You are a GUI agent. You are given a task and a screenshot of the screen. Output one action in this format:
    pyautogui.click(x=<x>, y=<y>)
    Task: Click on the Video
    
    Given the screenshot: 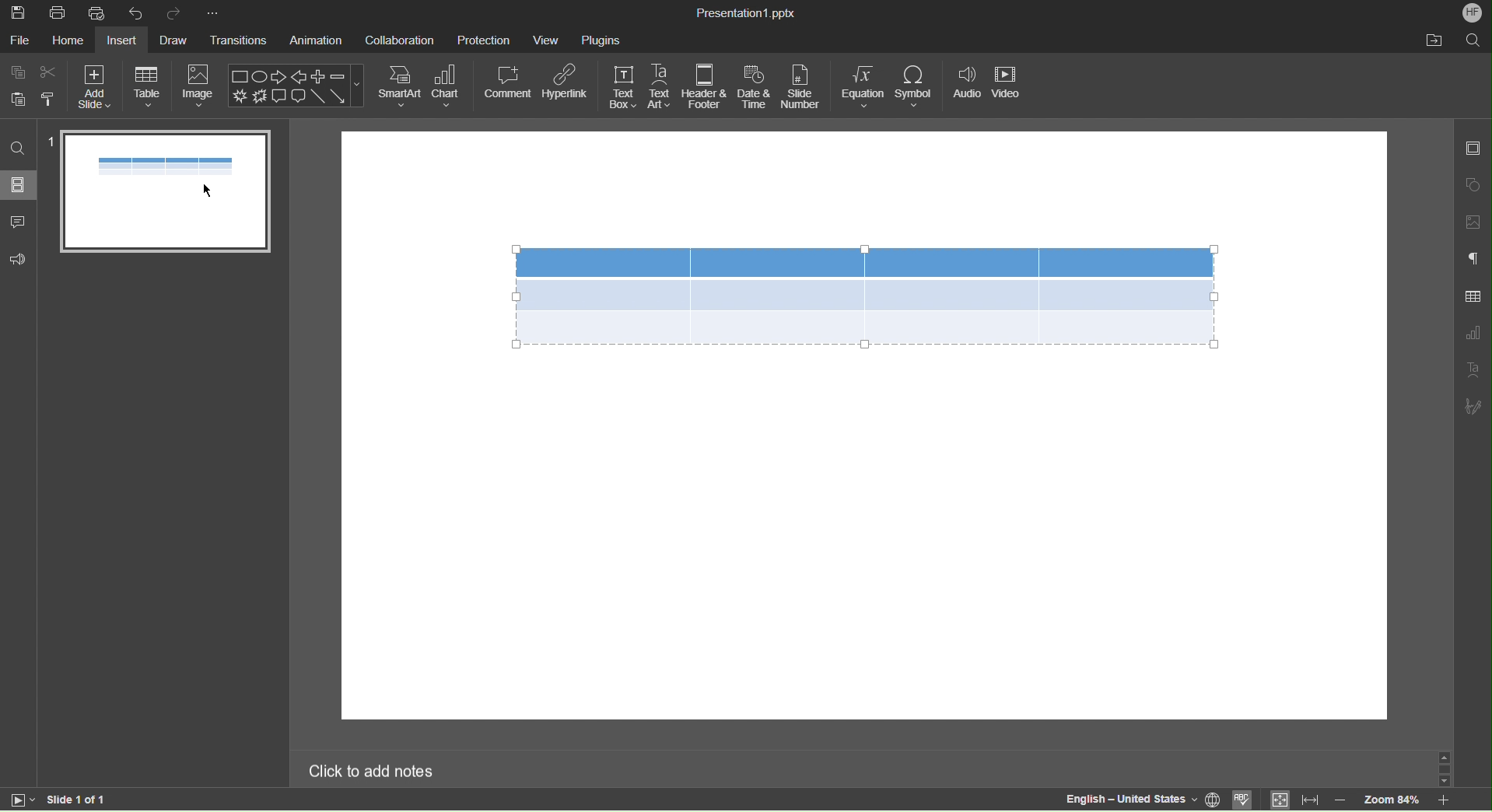 What is the action you would take?
    pyautogui.click(x=1007, y=86)
    